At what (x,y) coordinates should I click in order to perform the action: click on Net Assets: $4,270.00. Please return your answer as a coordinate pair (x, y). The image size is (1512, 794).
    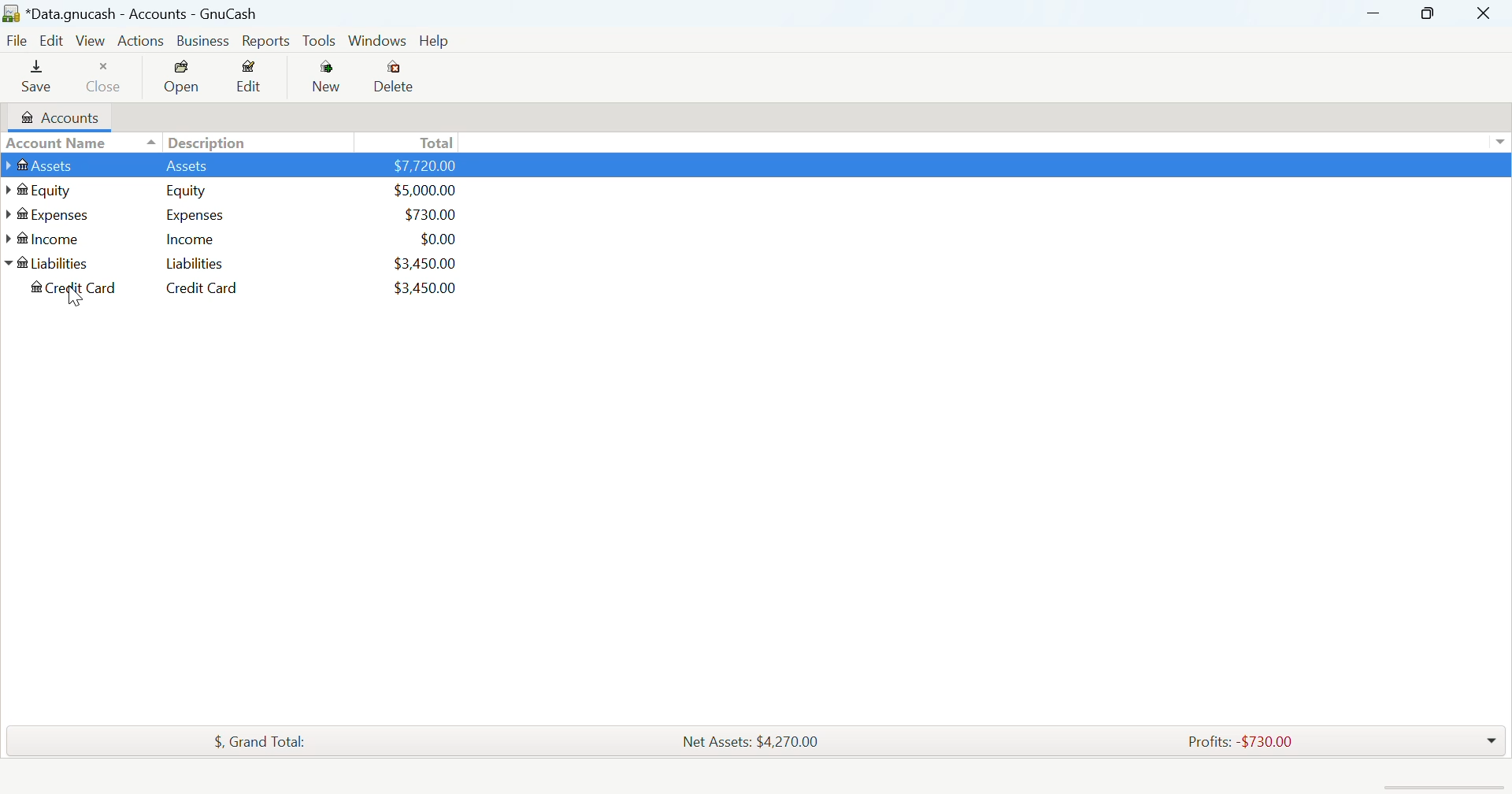
    Looking at the image, I should click on (753, 741).